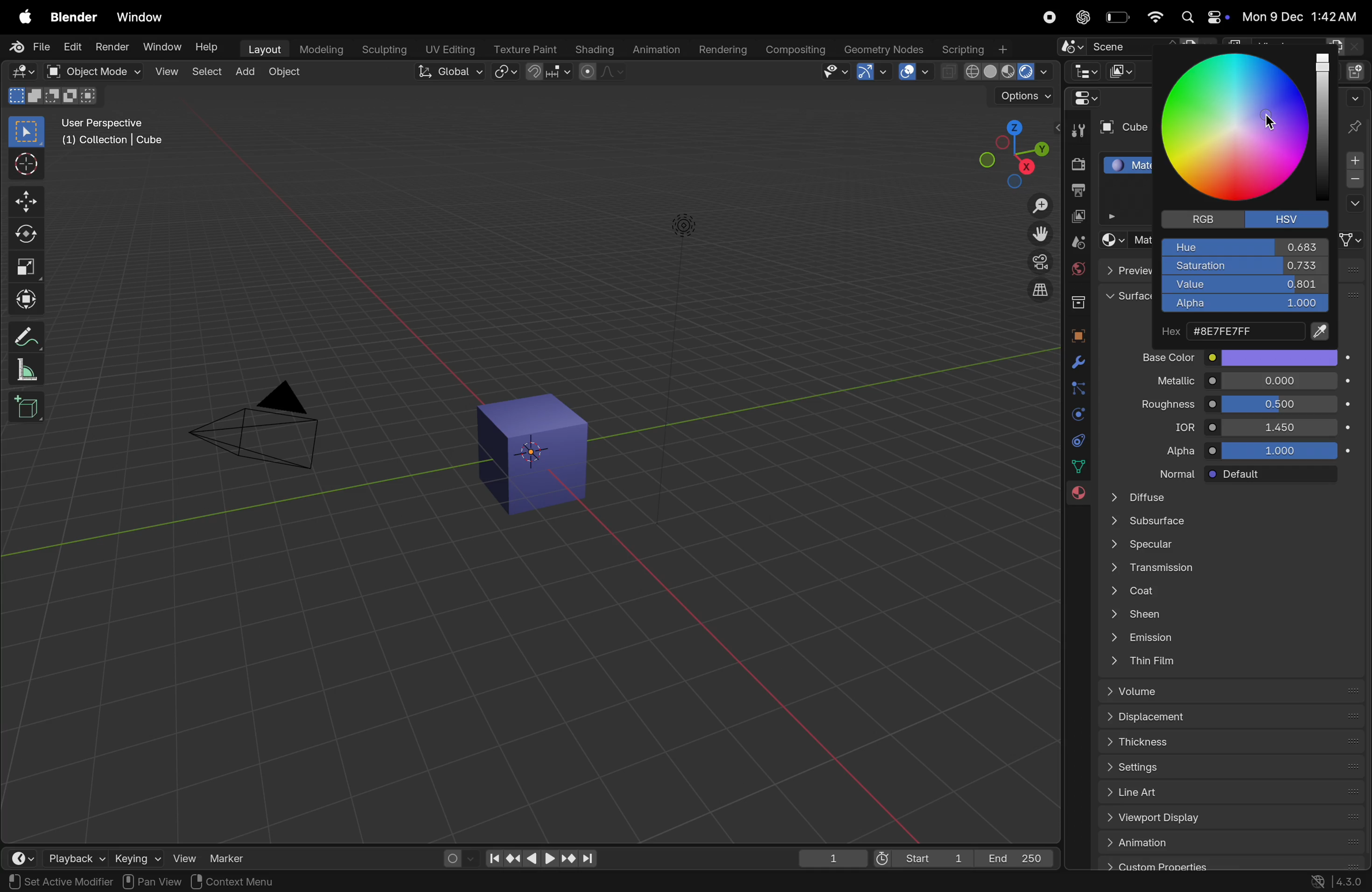 The width and height of the screenshot is (1372, 892). What do you see at coordinates (1230, 842) in the screenshot?
I see `animation` at bounding box center [1230, 842].